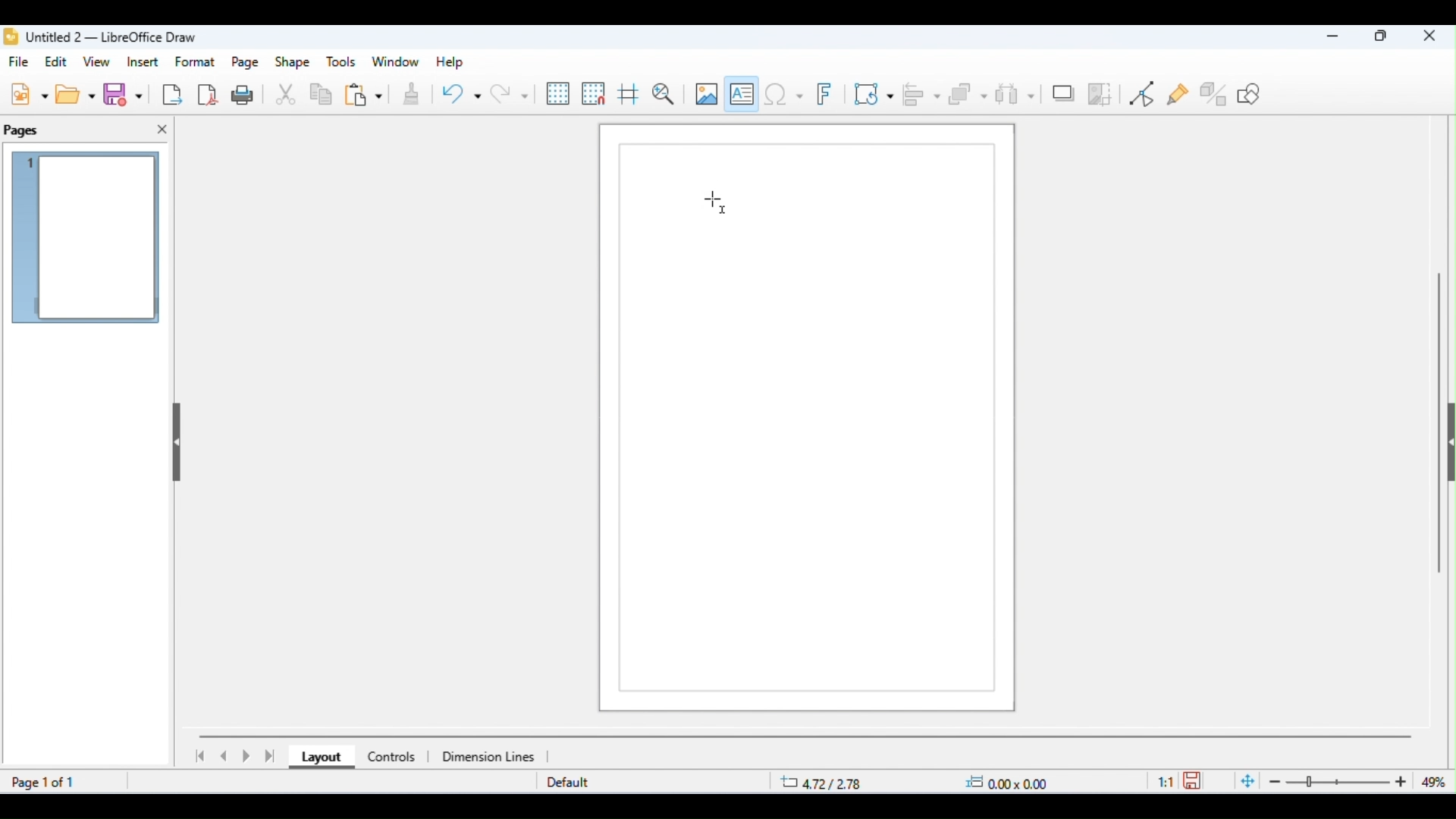 The width and height of the screenshot is (1456, 819). What do you see at coordinates (827, 95) in the screenshot?
I see `insert fontwork text` at bounding box center [827, 95].